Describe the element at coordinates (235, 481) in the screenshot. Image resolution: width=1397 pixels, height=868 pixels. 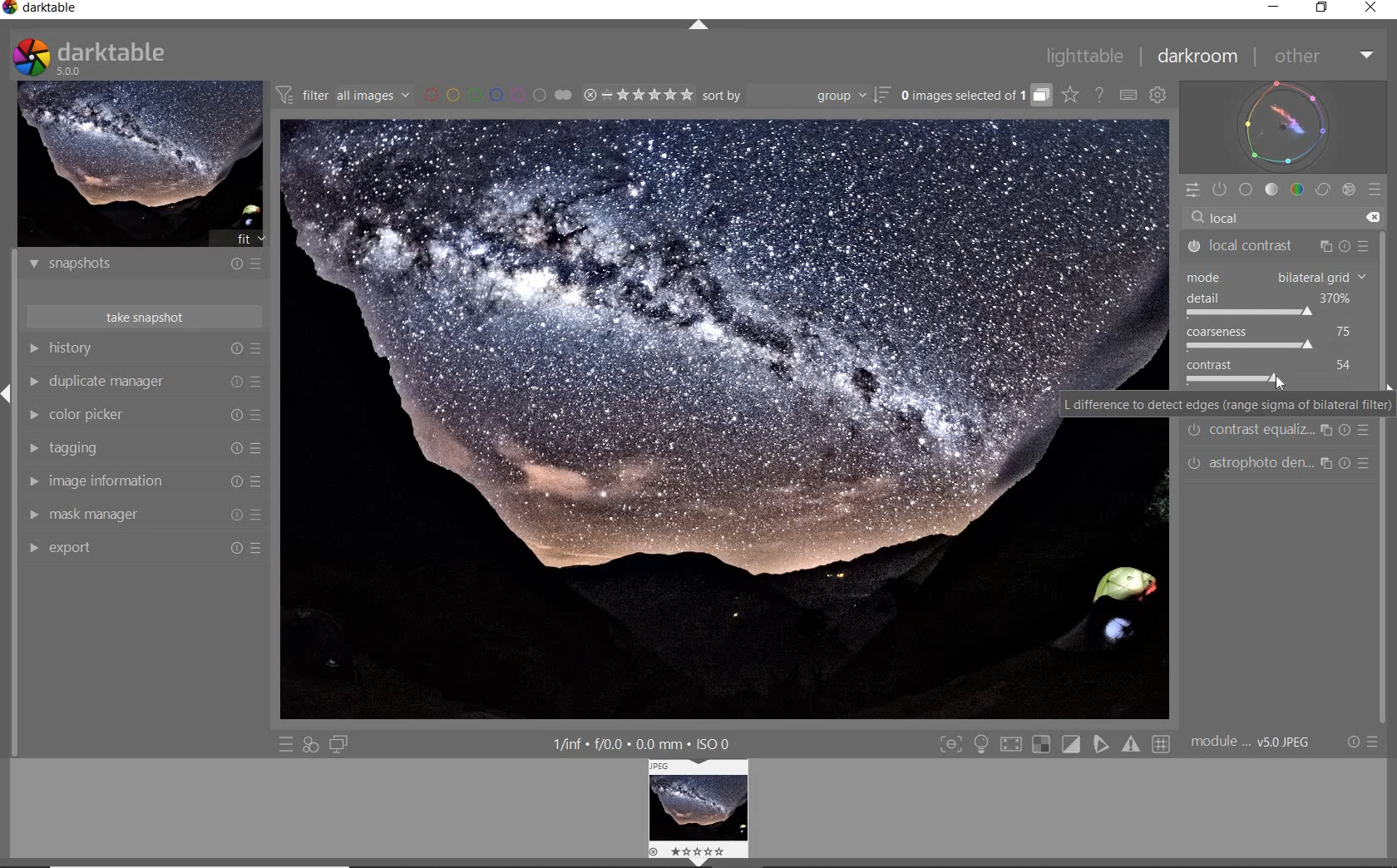
I see `Reset` at that location.